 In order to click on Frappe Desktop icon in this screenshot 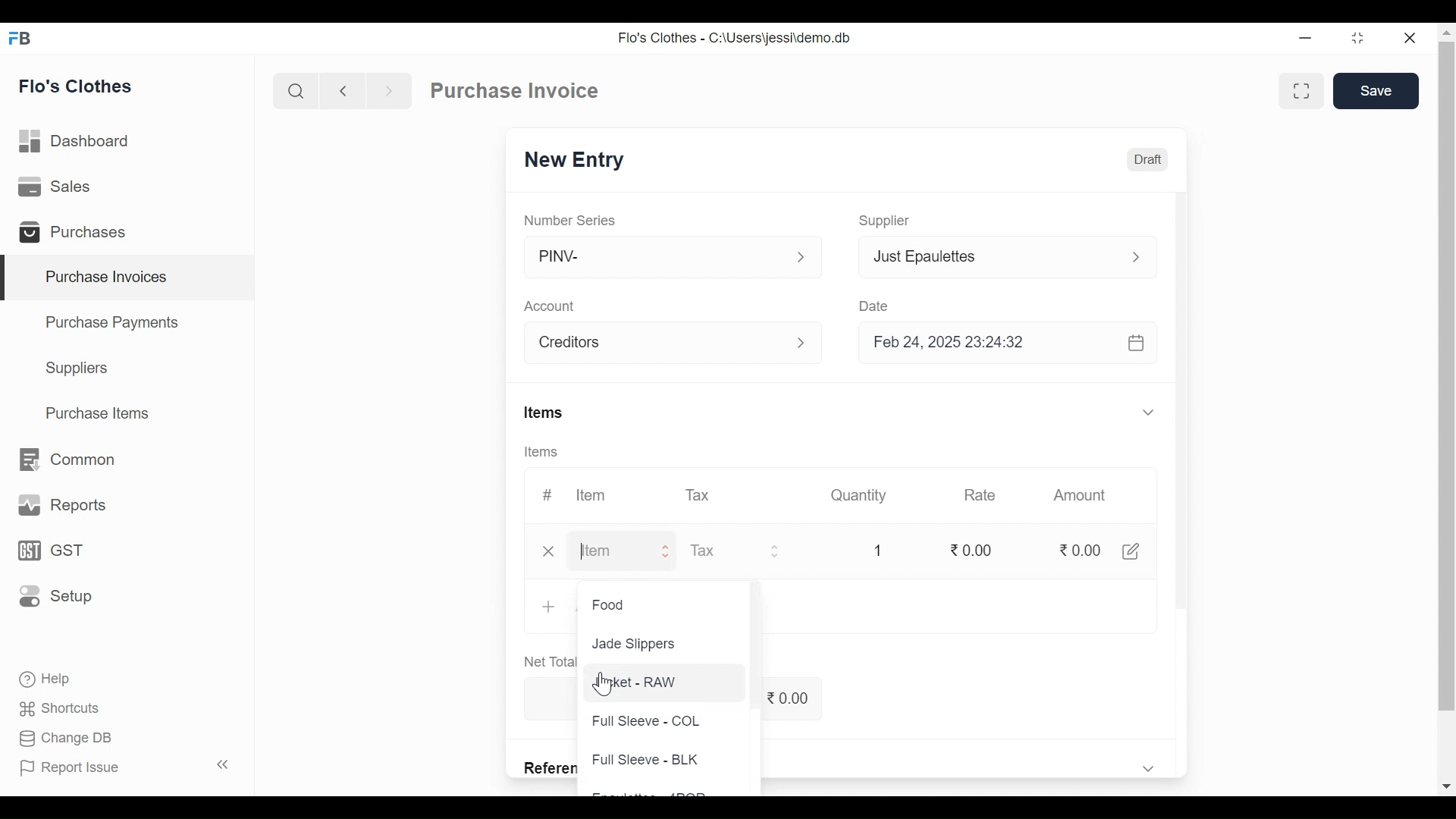, I will do `click(24, 39)`.